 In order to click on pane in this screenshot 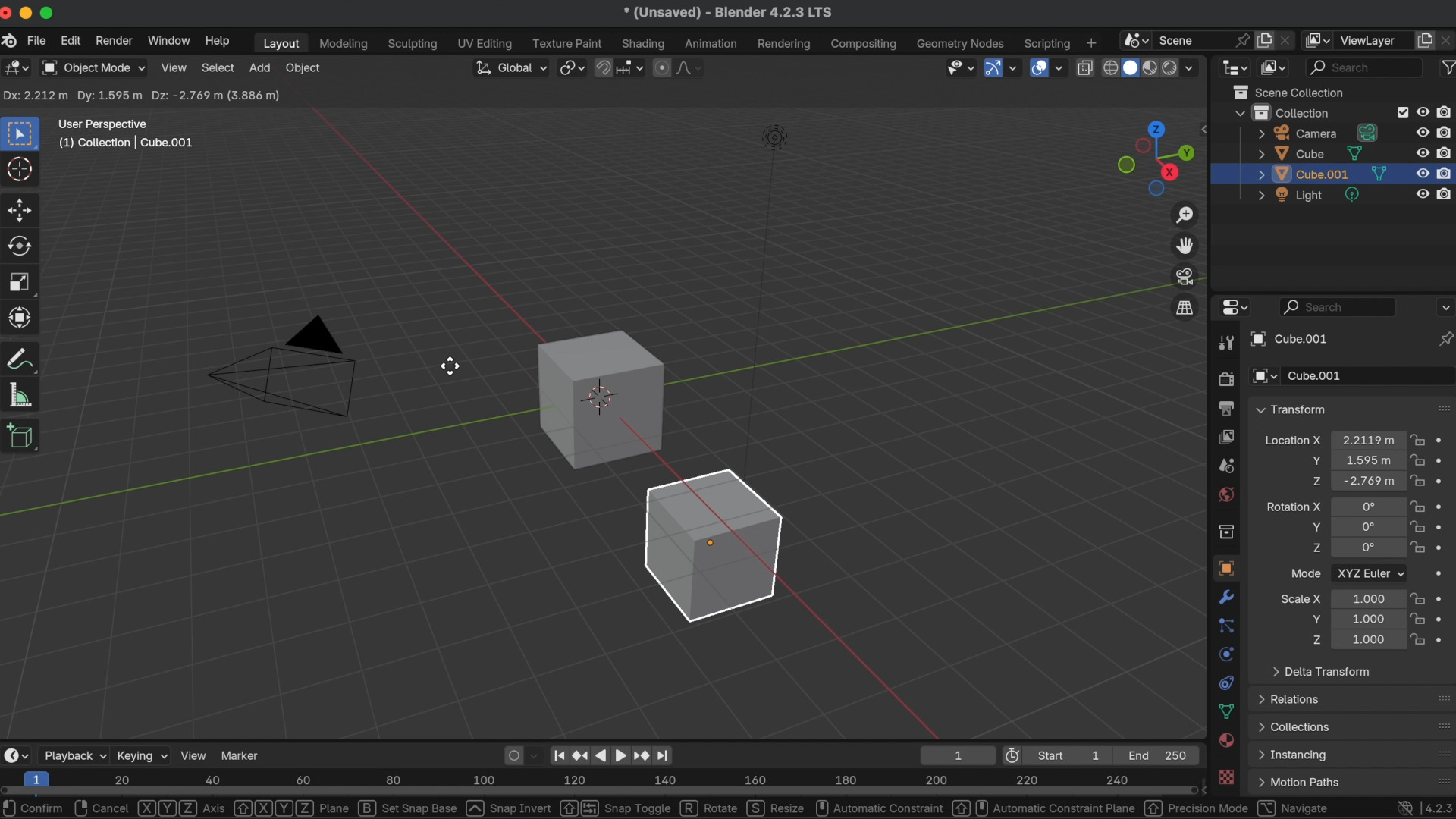, I will do `click(291, 808)`.